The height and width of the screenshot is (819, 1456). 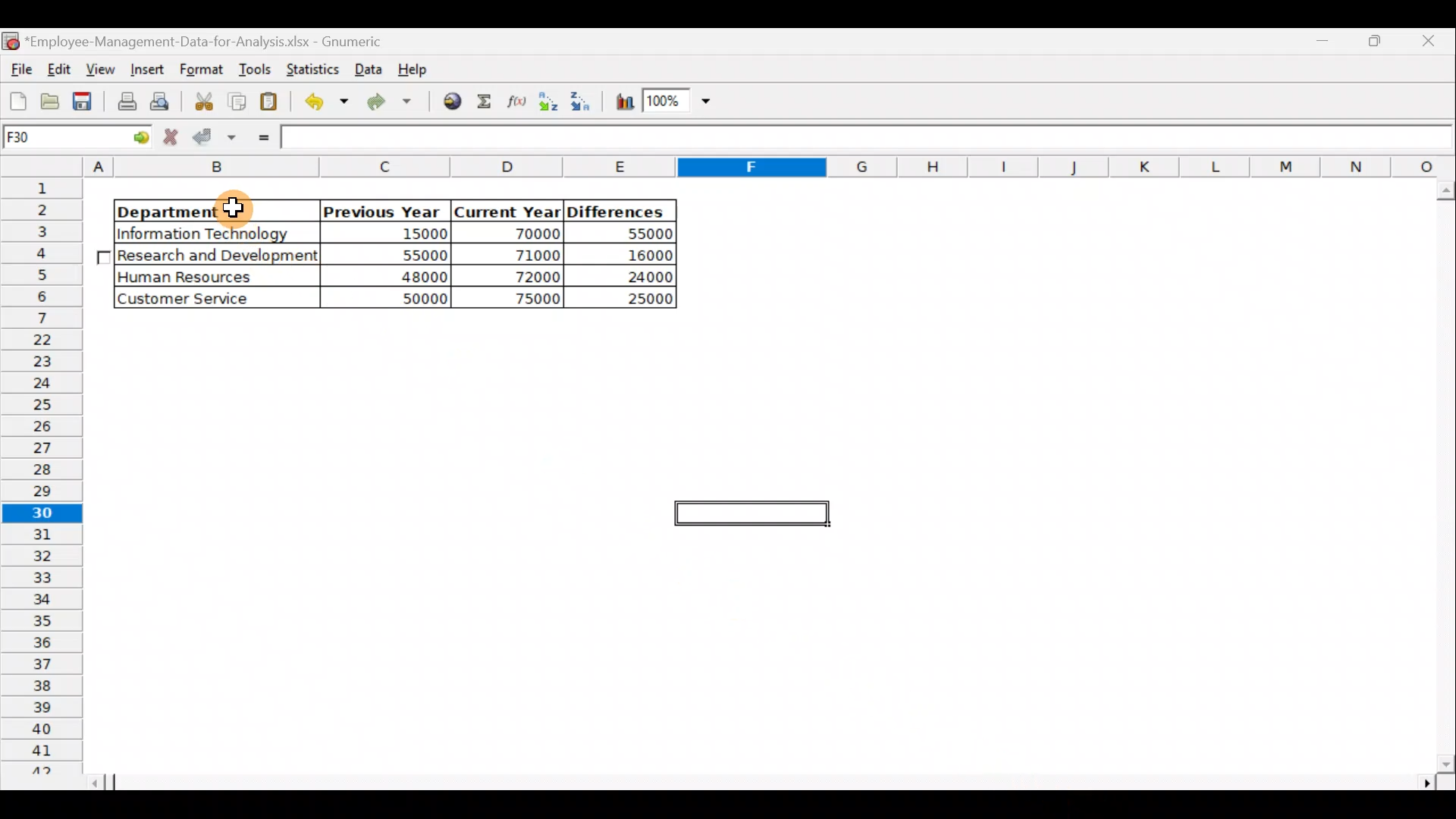 I want to click on Close, so click(x=1429, y=43).